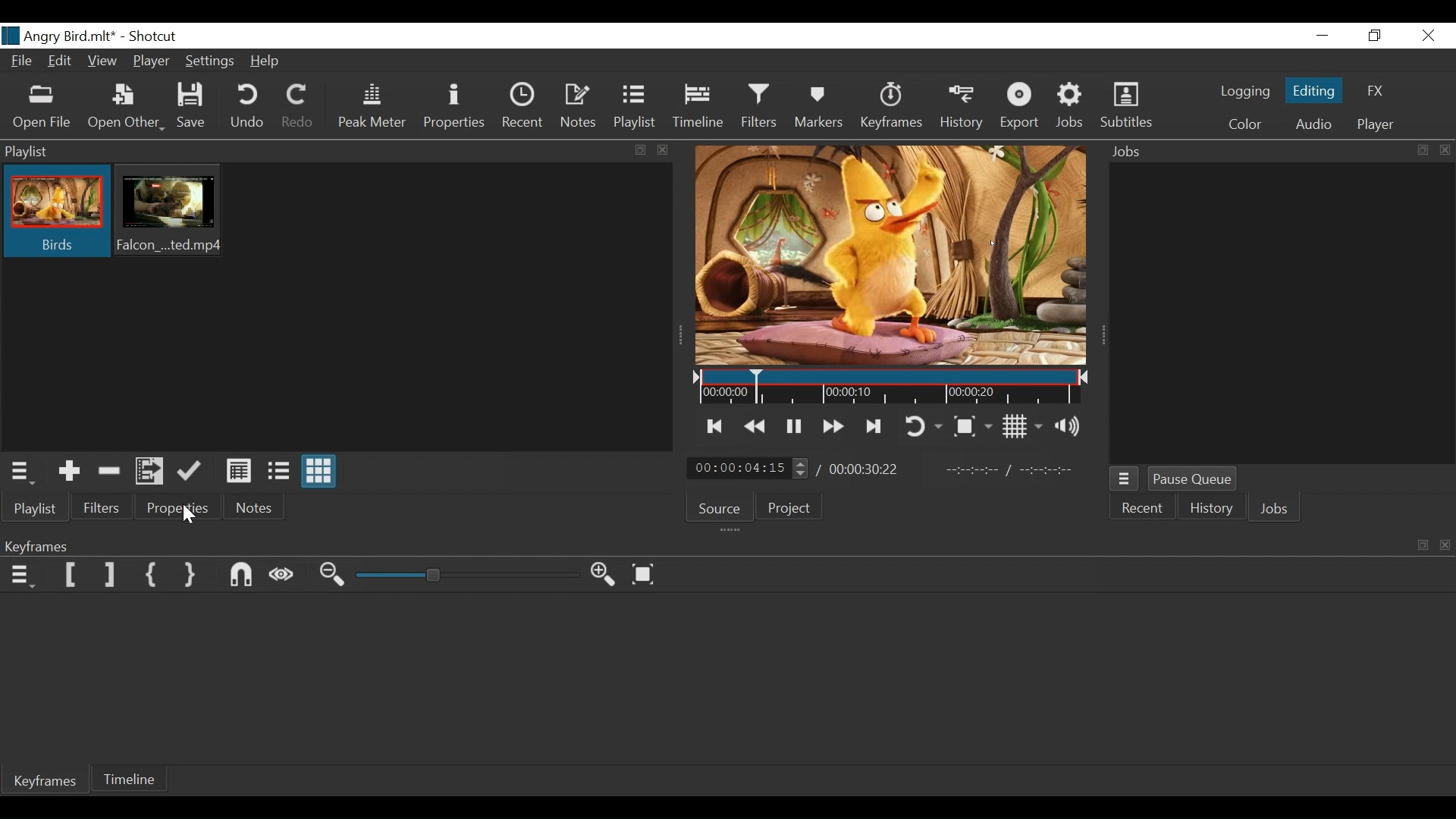 This screenshot has width=1456, height=819. What do you see at coordinates (1313, 89) in the screenshot?
I see `Editing` at bounding box center [1313, 89].